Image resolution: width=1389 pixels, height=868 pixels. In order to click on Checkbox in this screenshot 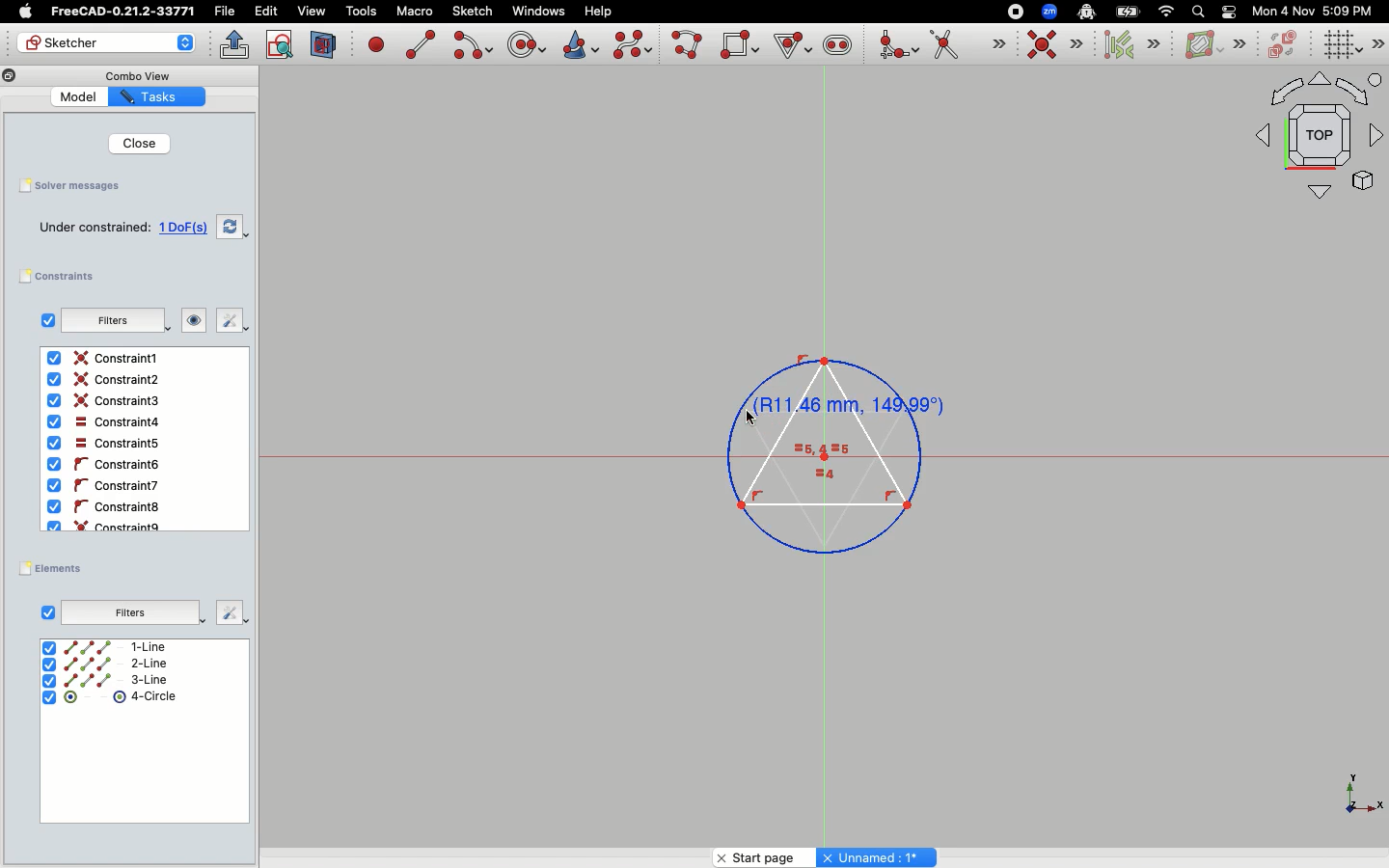, I will do `click(48, 611)`.